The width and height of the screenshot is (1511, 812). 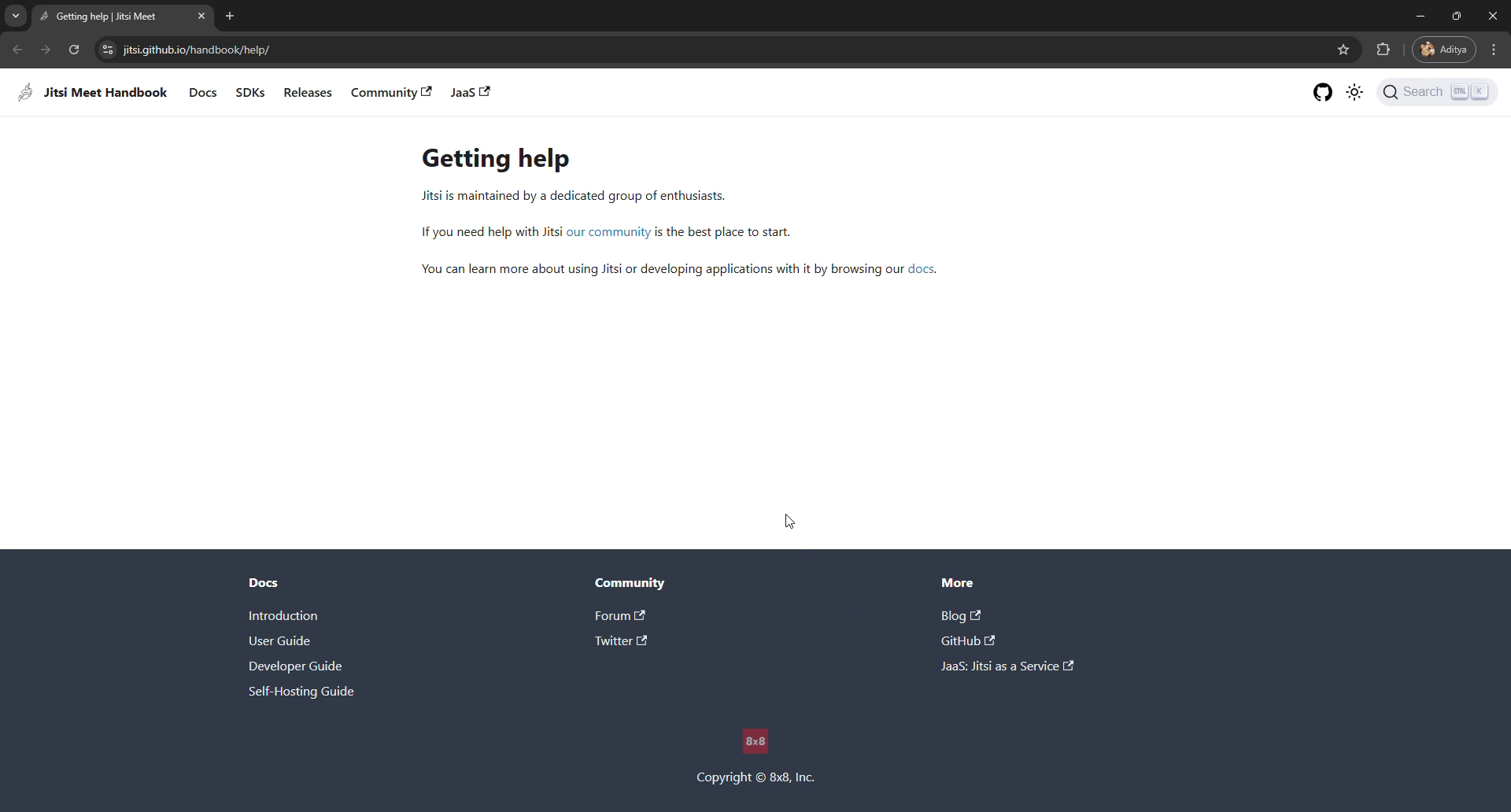 I want to click on minimize, so click(x=1418, y=16).